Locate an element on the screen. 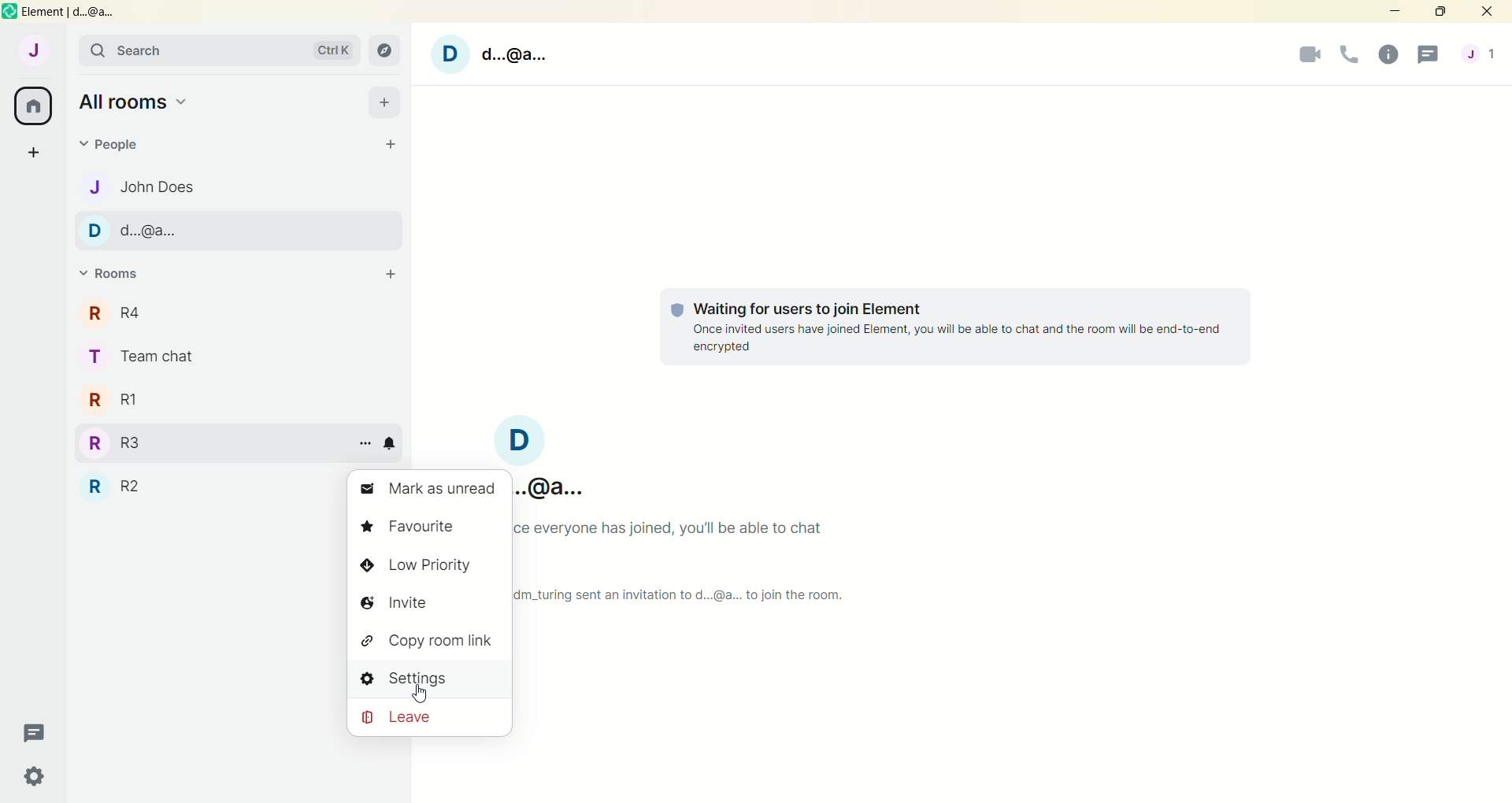  R2 is located at coordinates (205, 483).